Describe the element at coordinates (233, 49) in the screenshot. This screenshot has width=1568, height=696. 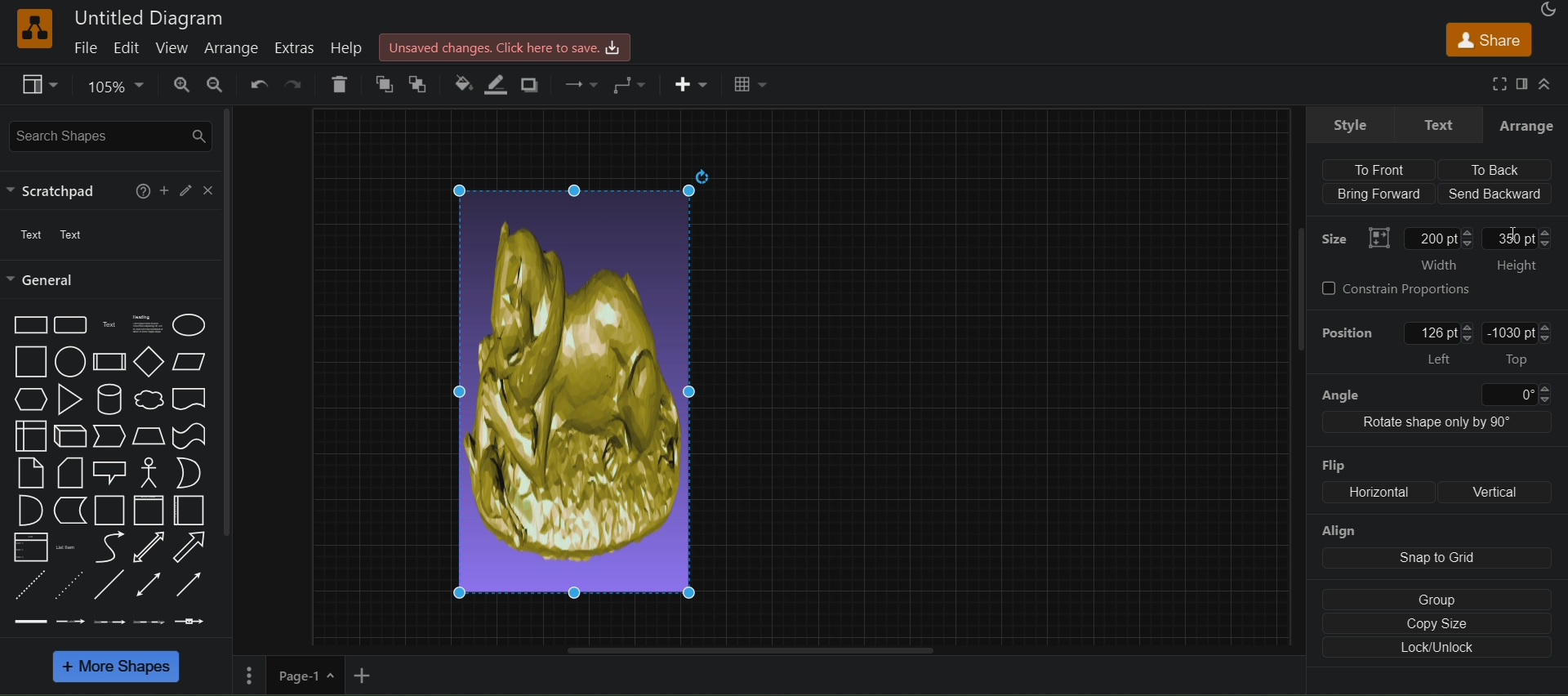
I see `arrange` at that location.